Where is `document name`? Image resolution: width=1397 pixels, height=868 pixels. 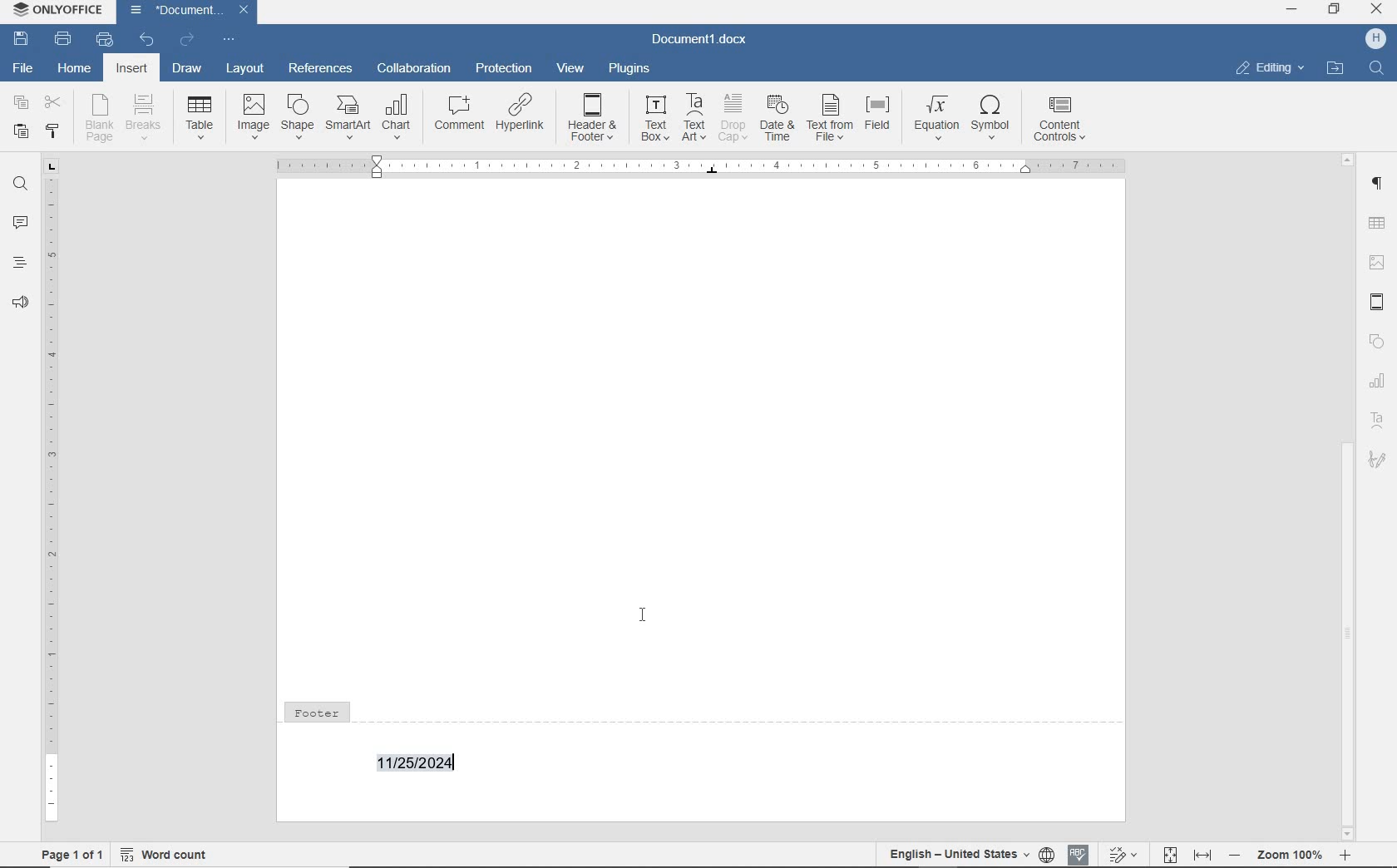 document name is located at coordinates (701, 39).